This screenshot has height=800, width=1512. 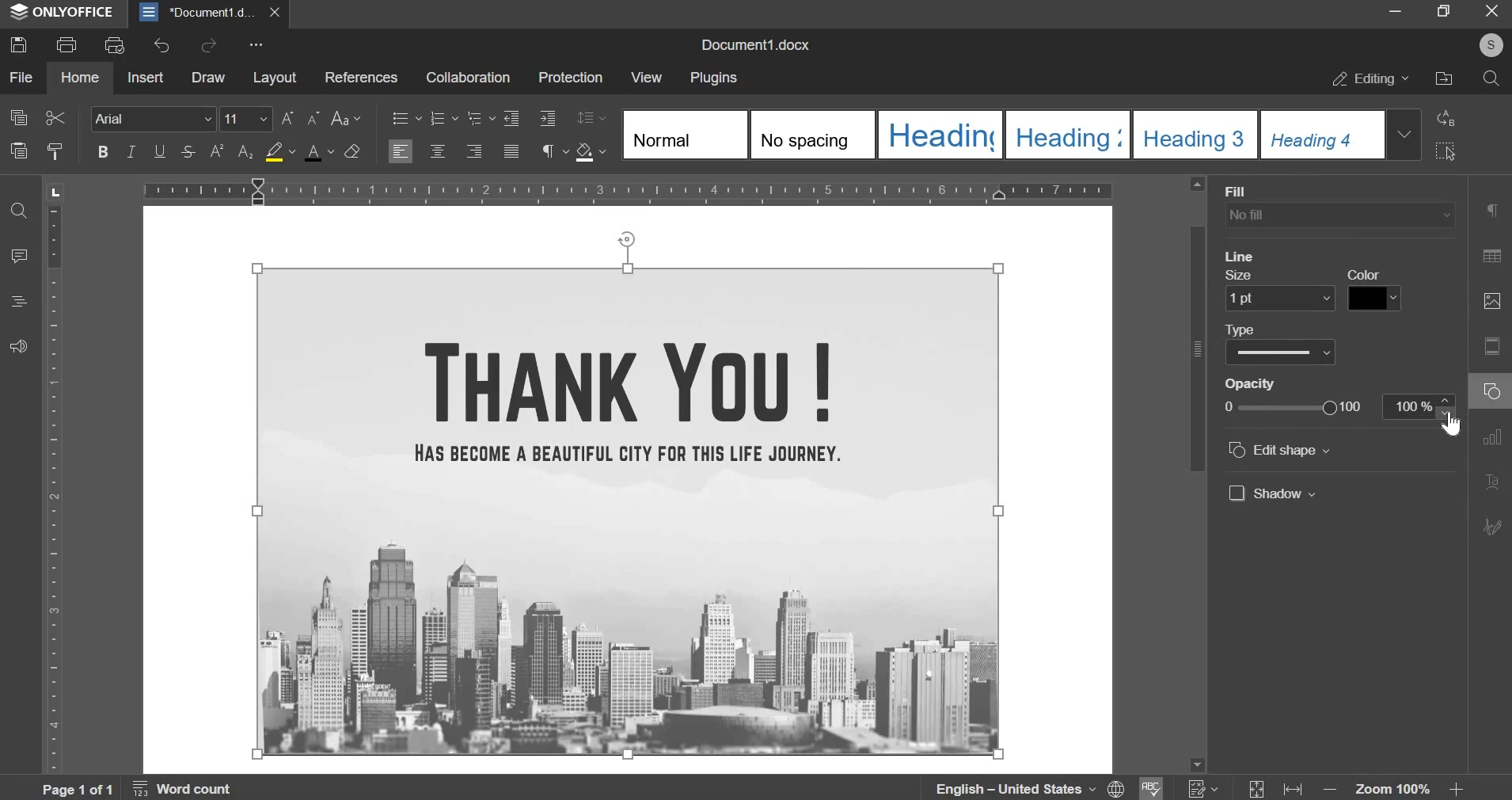 I want to click on Heading 3, so click(x=1192, y=135).